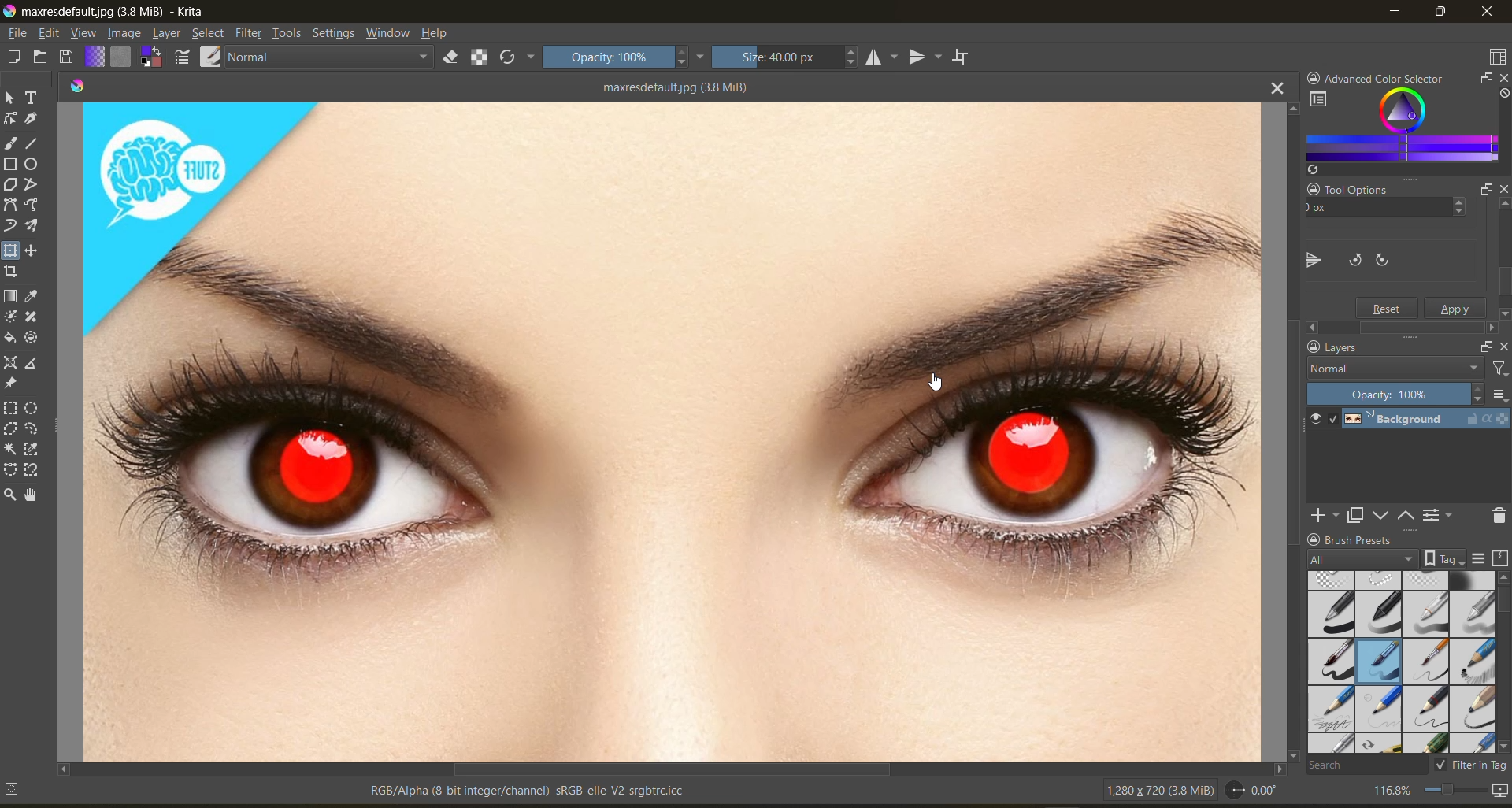 The height and width of the screenshot is (808, 1512). I want to click on storage resources, so click(1499, 558).